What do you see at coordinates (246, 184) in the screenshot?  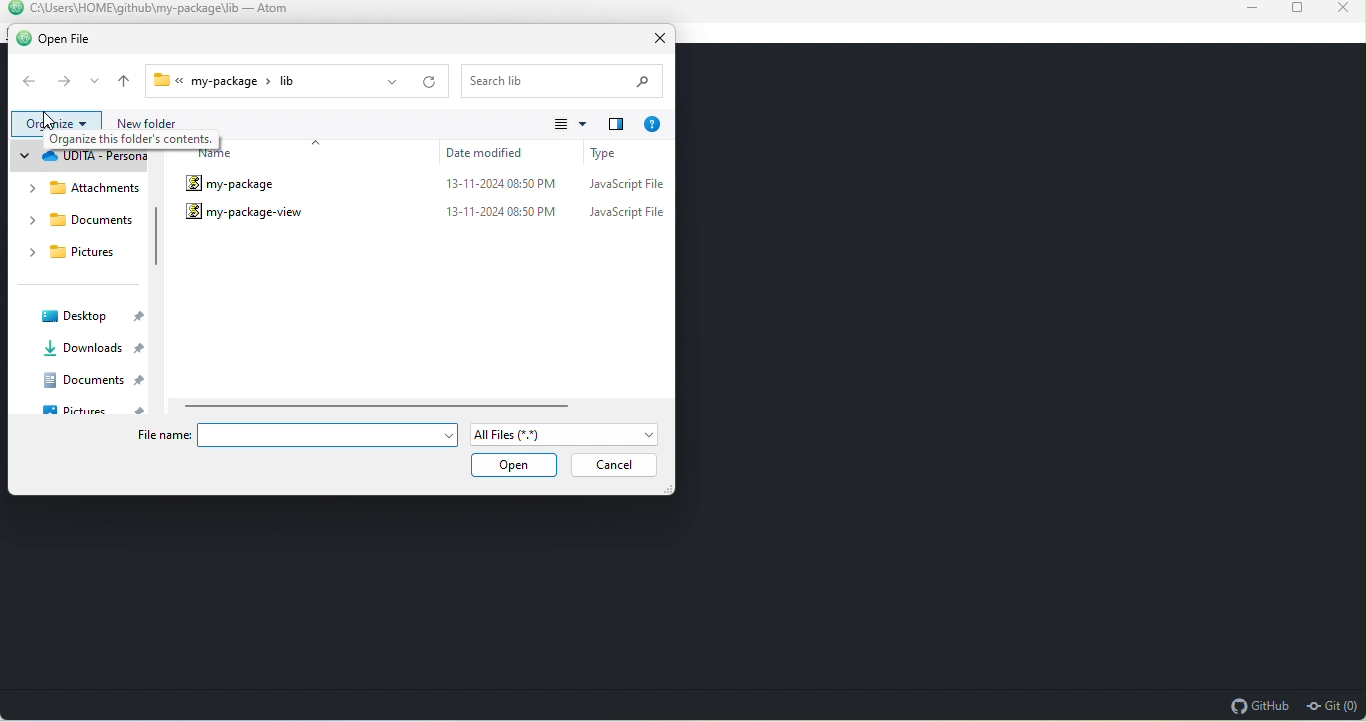 I see `my package` at bounding box center [246, 184].